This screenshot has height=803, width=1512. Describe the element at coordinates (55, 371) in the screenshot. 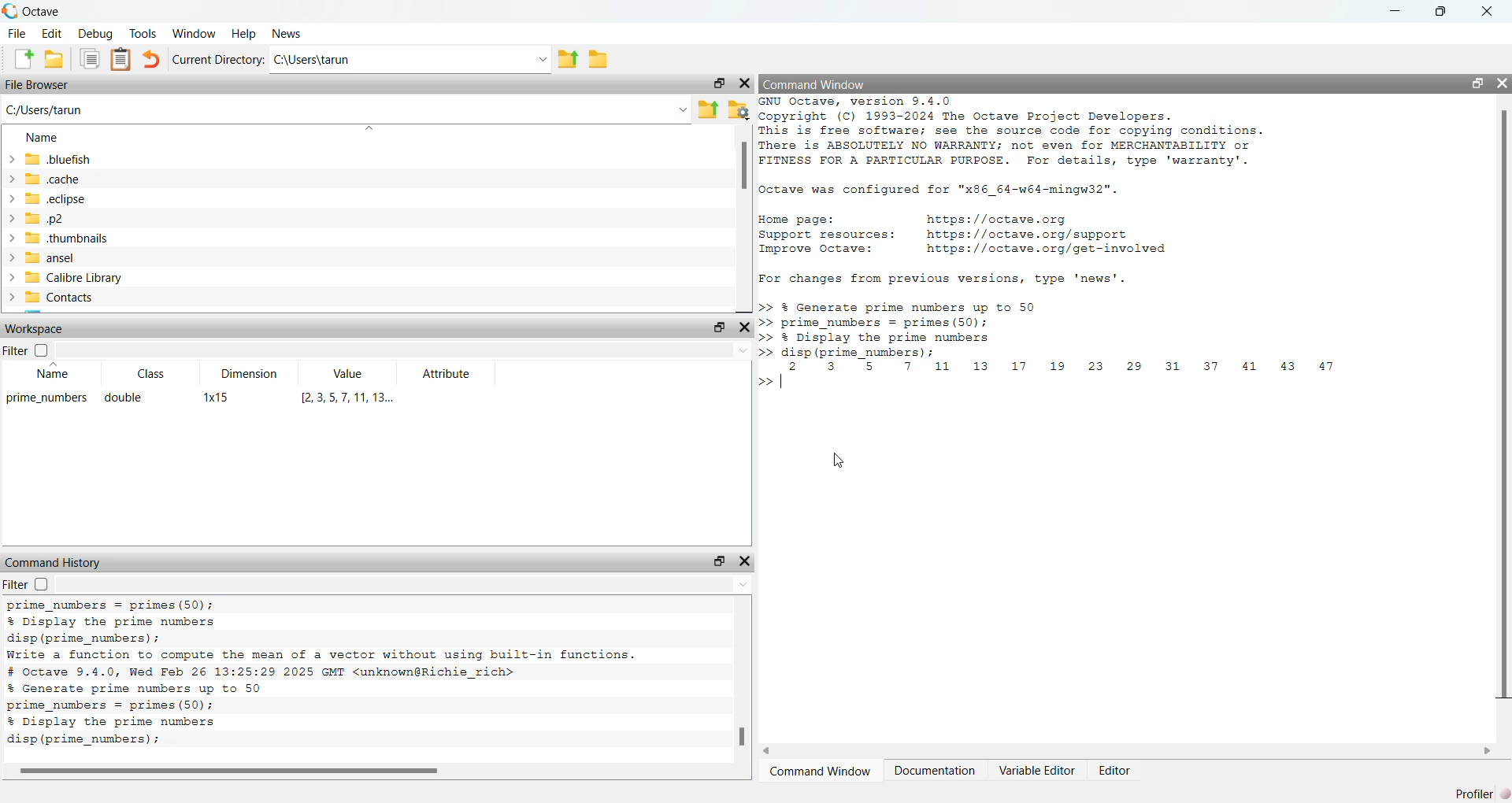

I see `name` at that location.